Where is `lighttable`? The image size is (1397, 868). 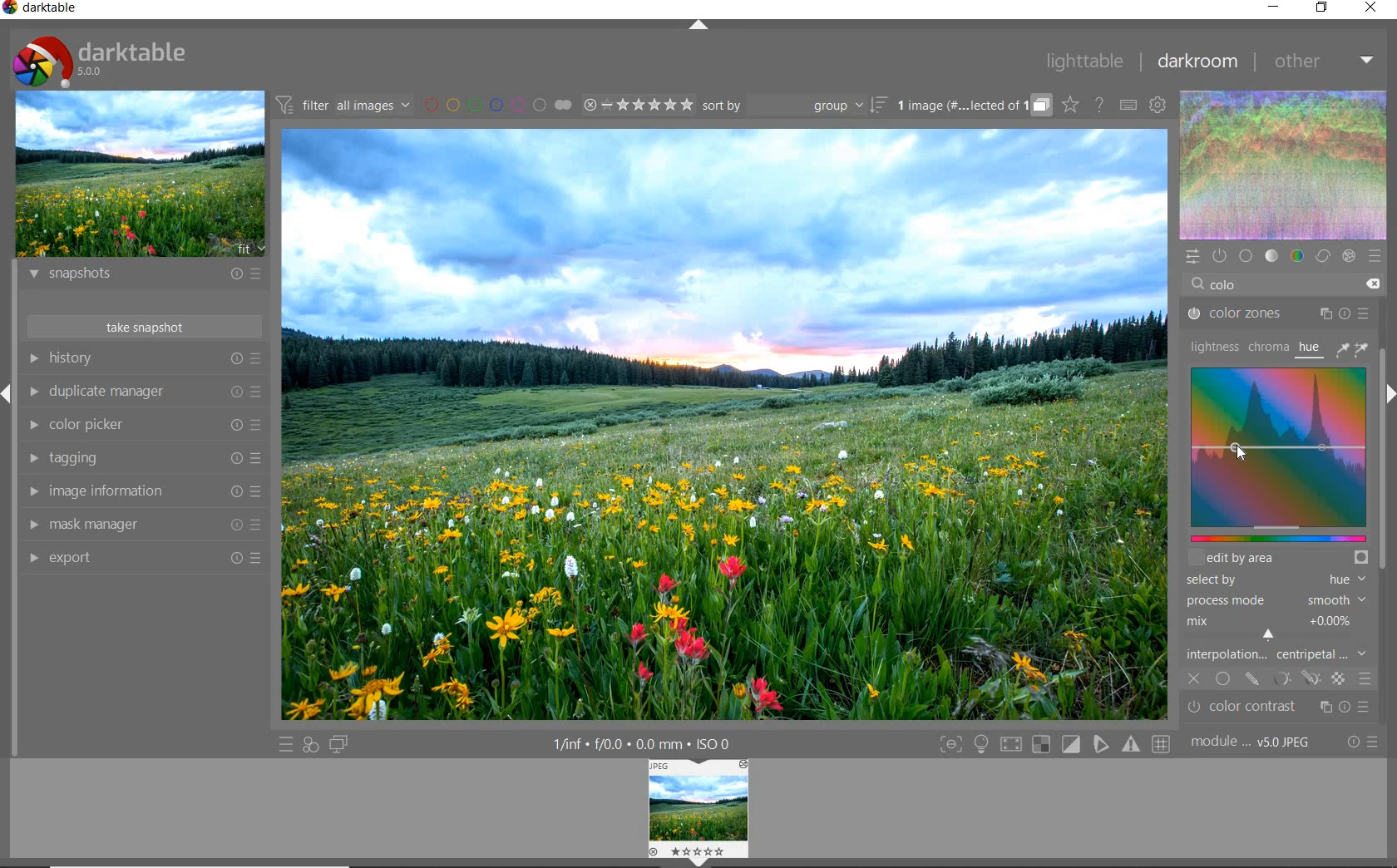 lighttable is located at coordinates (1084, 62).